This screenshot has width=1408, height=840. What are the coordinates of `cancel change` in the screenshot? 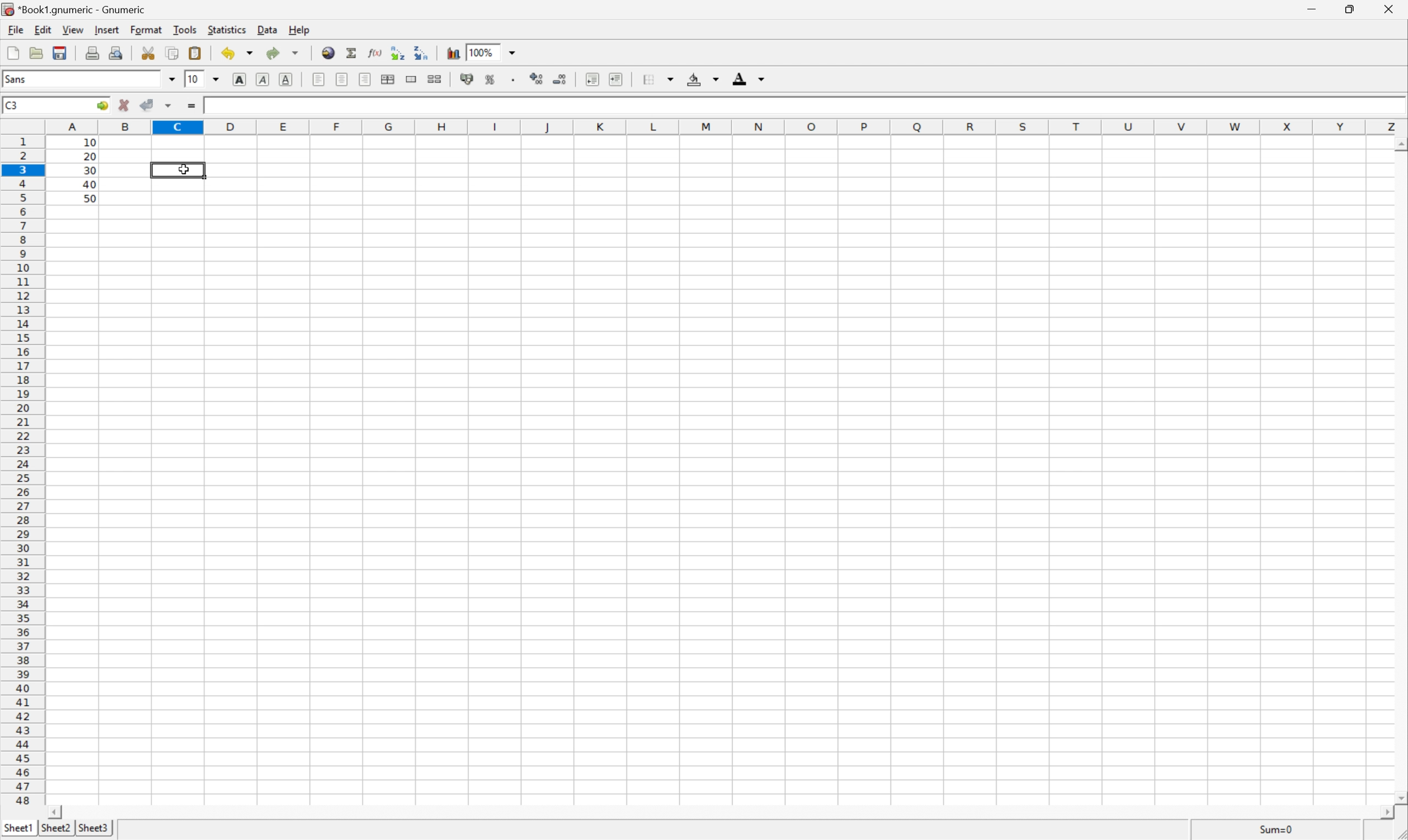 It's located at (124, 107).